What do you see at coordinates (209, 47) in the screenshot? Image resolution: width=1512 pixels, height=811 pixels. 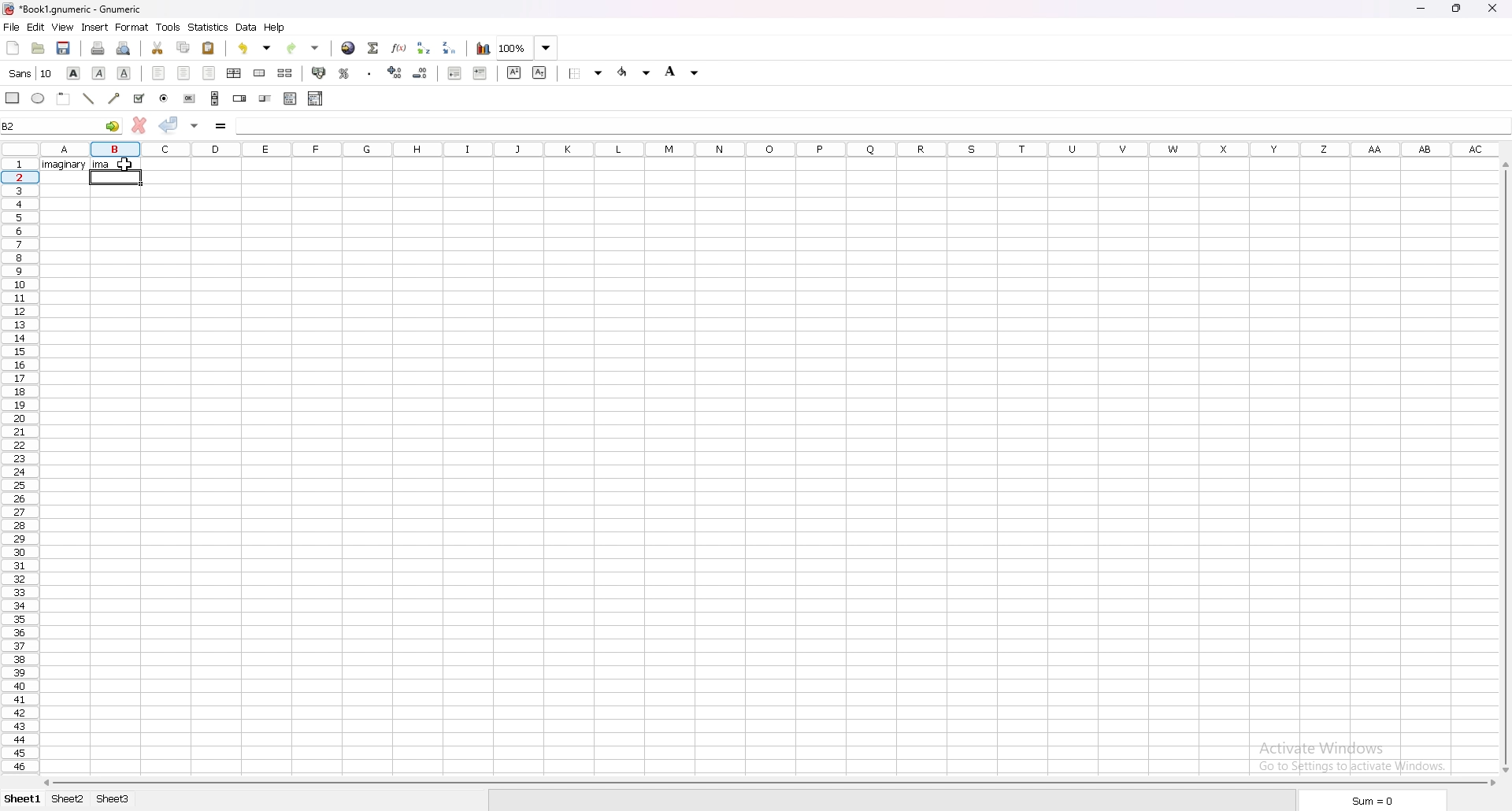 I see `paste` at bounding box center [209, 47].